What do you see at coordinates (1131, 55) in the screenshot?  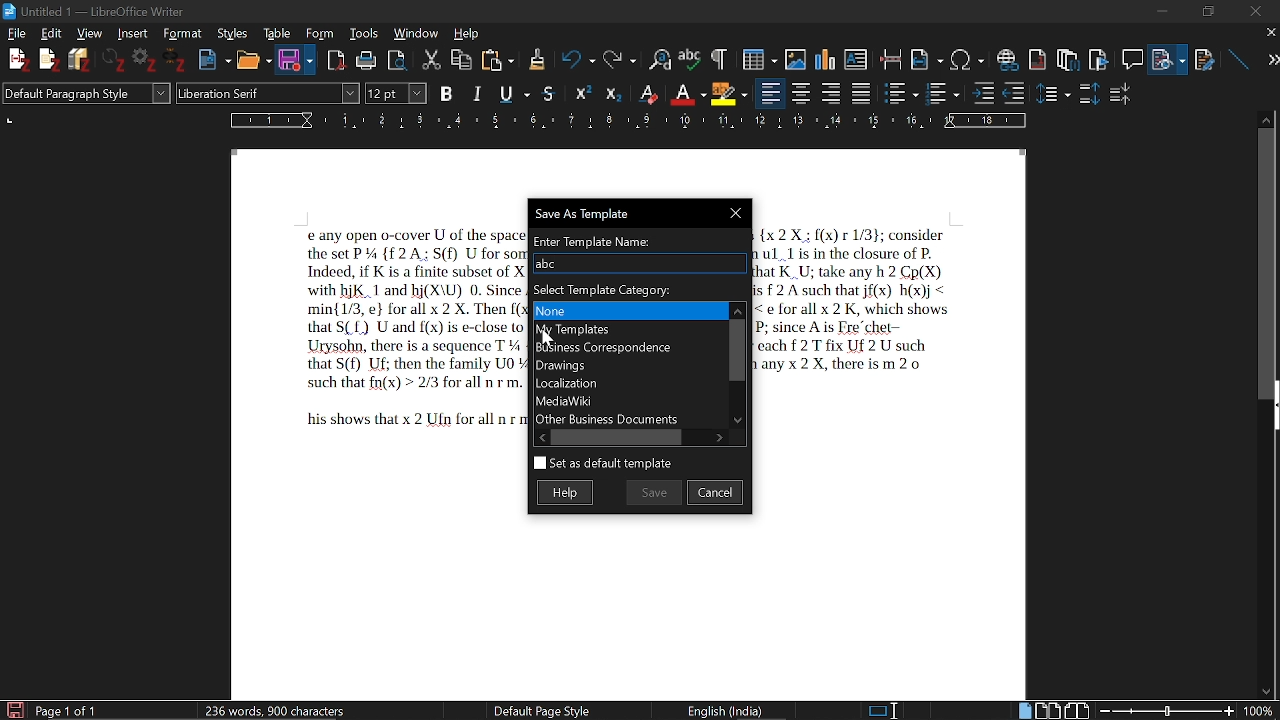 I see `Insert comment` at bounding box center [1131, 55].